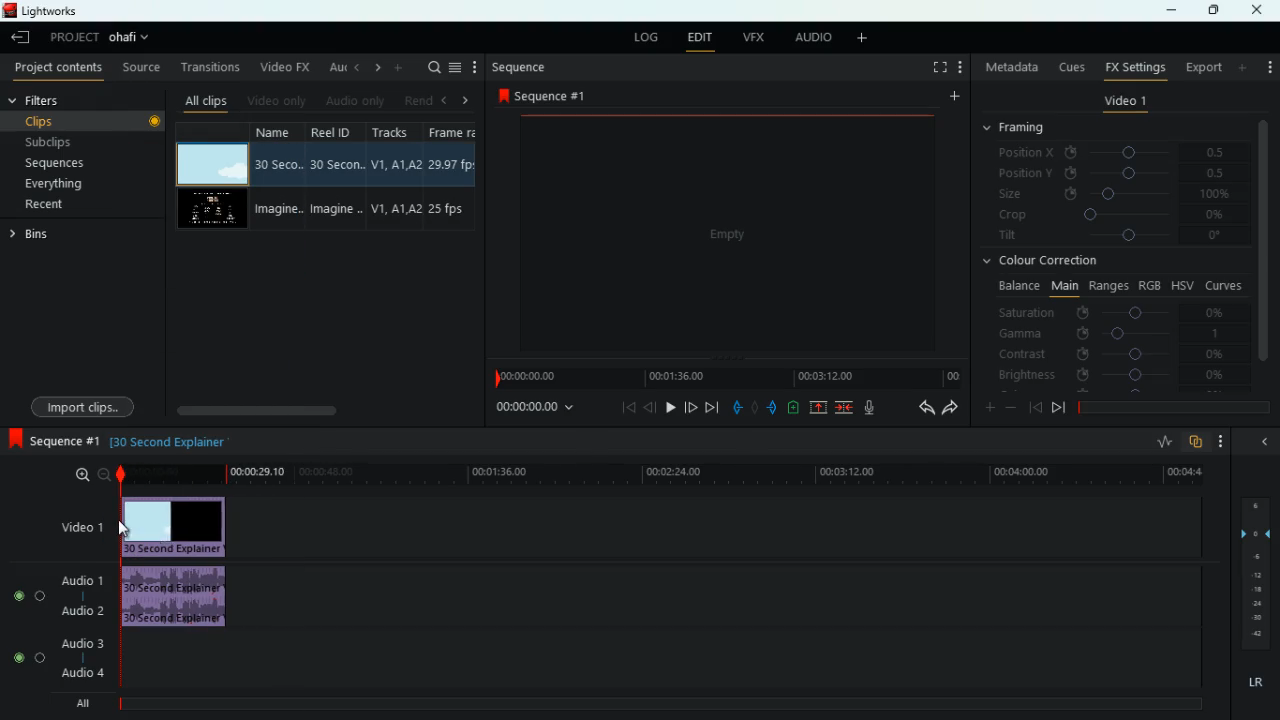 The image size is (1280, 720). I want to click on reel id, so click(329, 175).